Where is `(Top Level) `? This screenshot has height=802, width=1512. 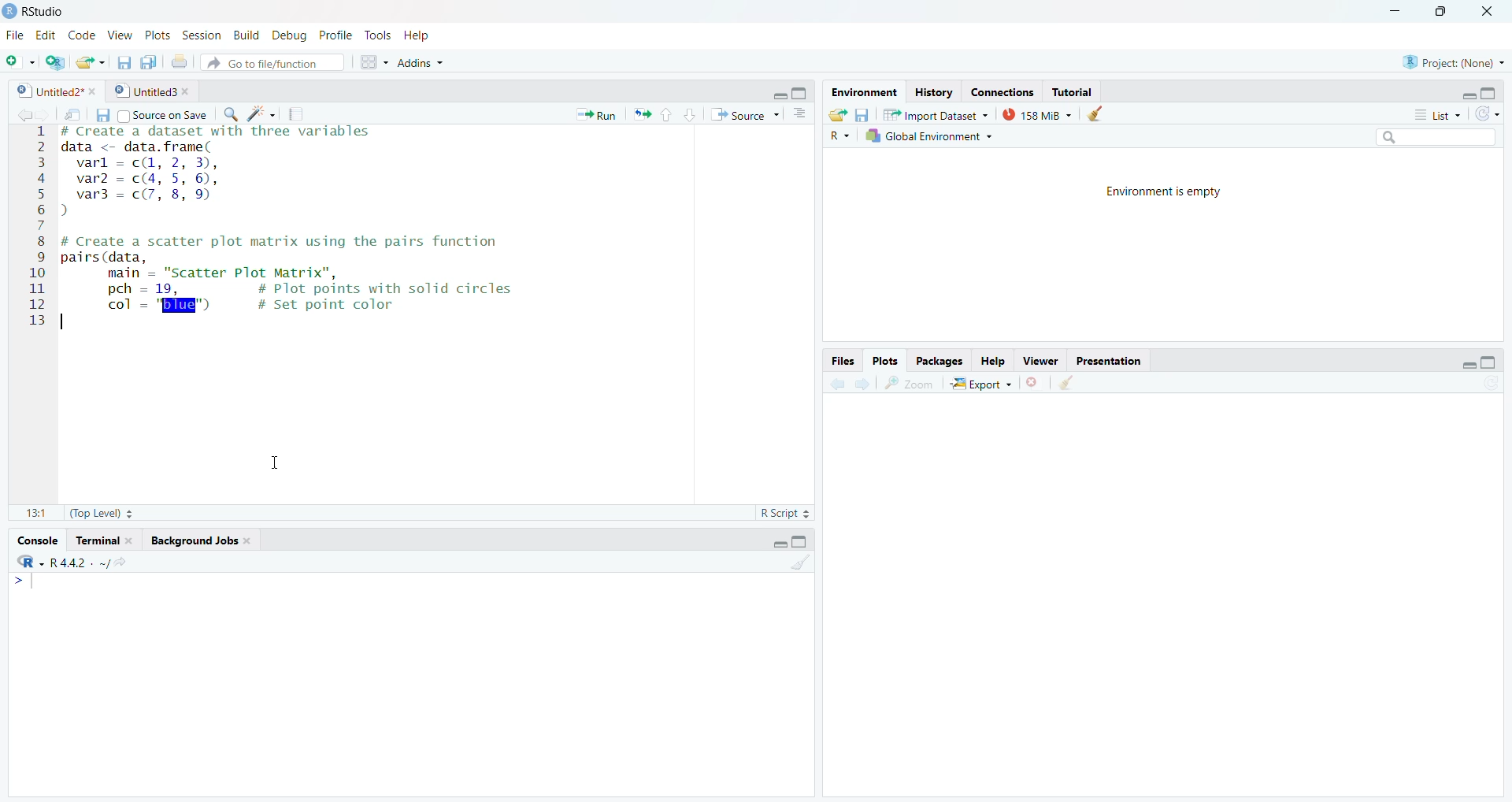 (Top Level)  is located at coordinates (102, 514).